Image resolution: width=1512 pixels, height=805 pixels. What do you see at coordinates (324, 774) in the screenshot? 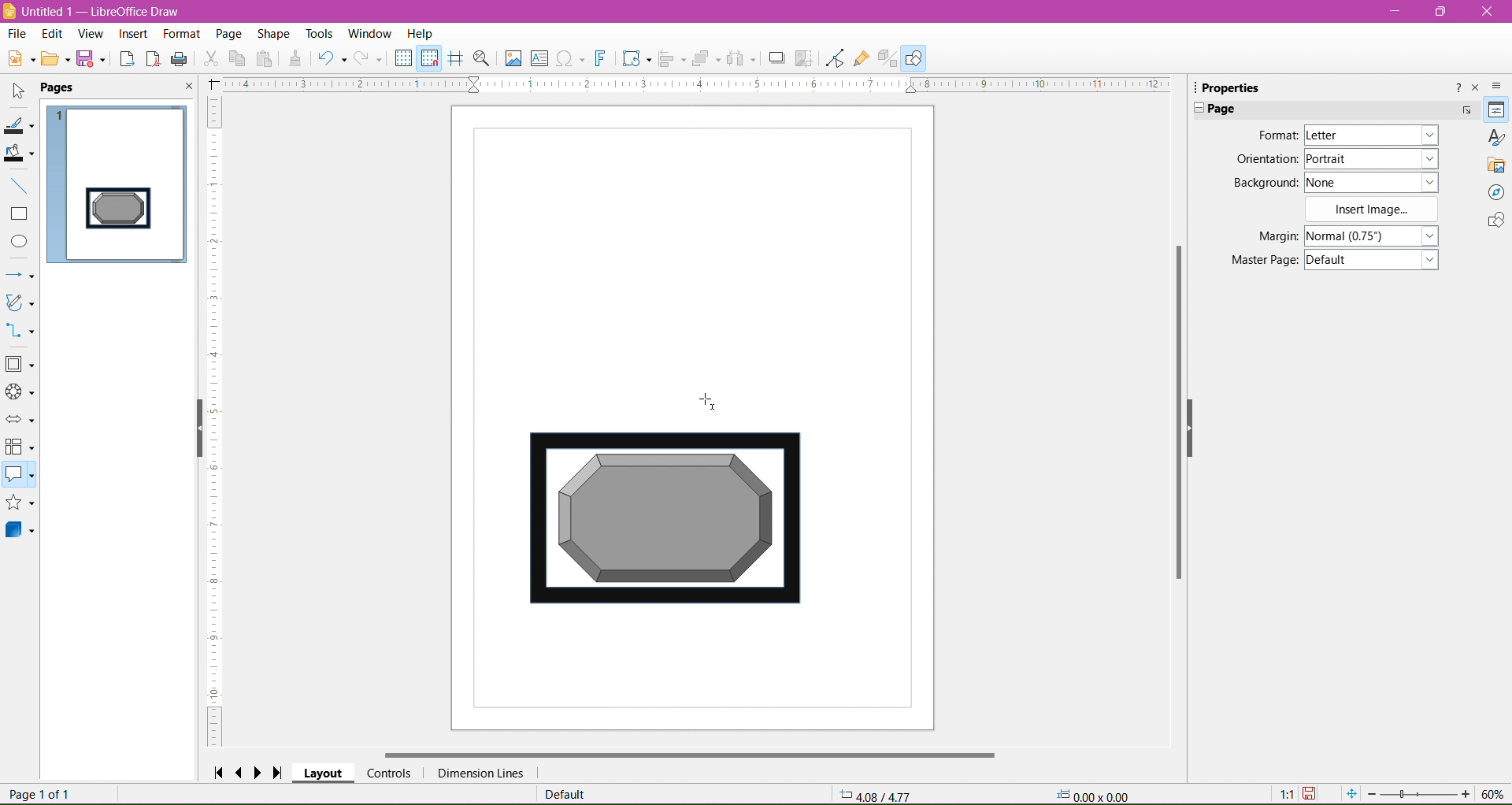
I see `Layout` at bounding box center [324, 774].